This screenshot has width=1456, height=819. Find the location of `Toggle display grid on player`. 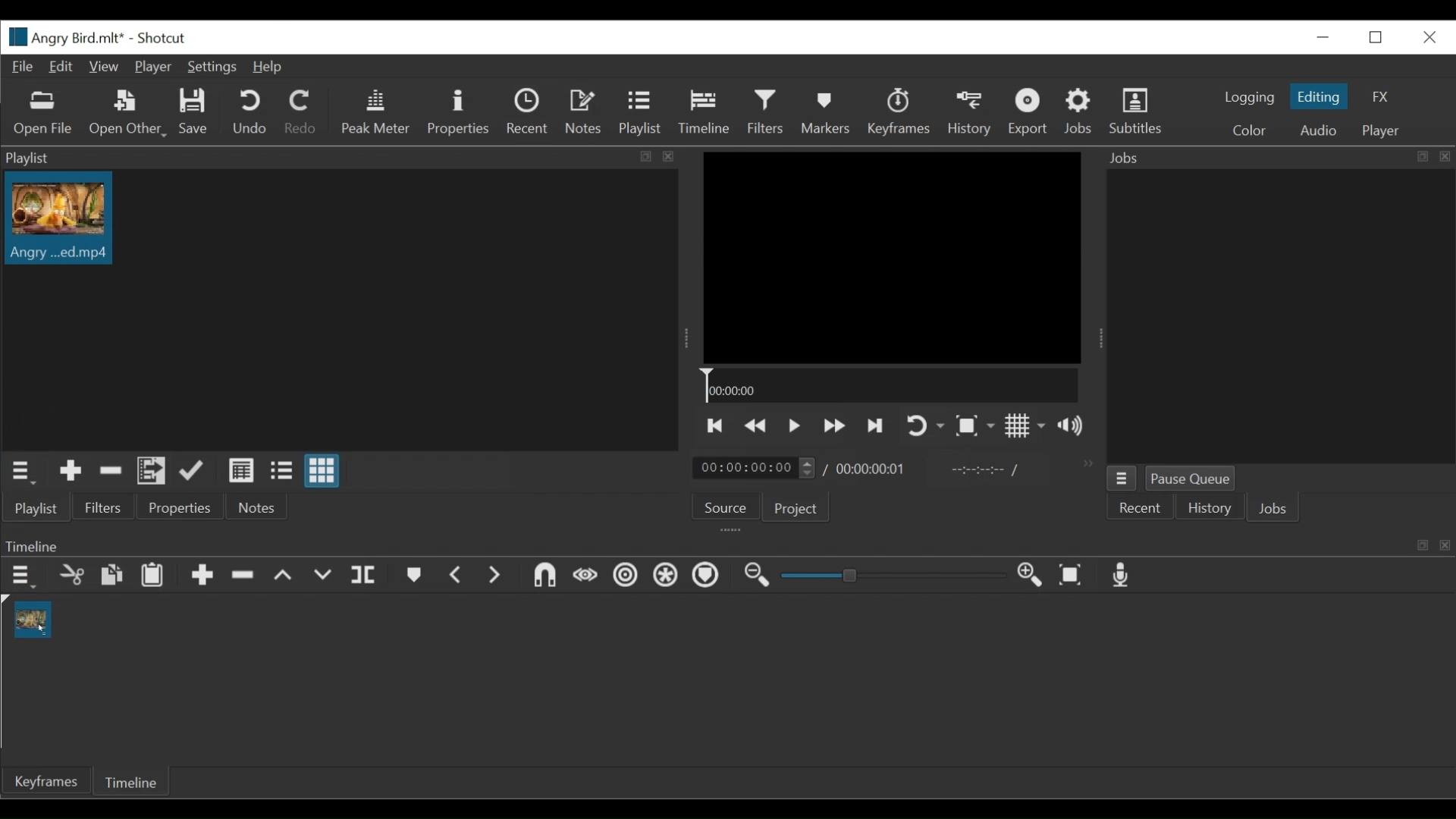

Toggle display grid on player is located at coordinates (1028, 428).